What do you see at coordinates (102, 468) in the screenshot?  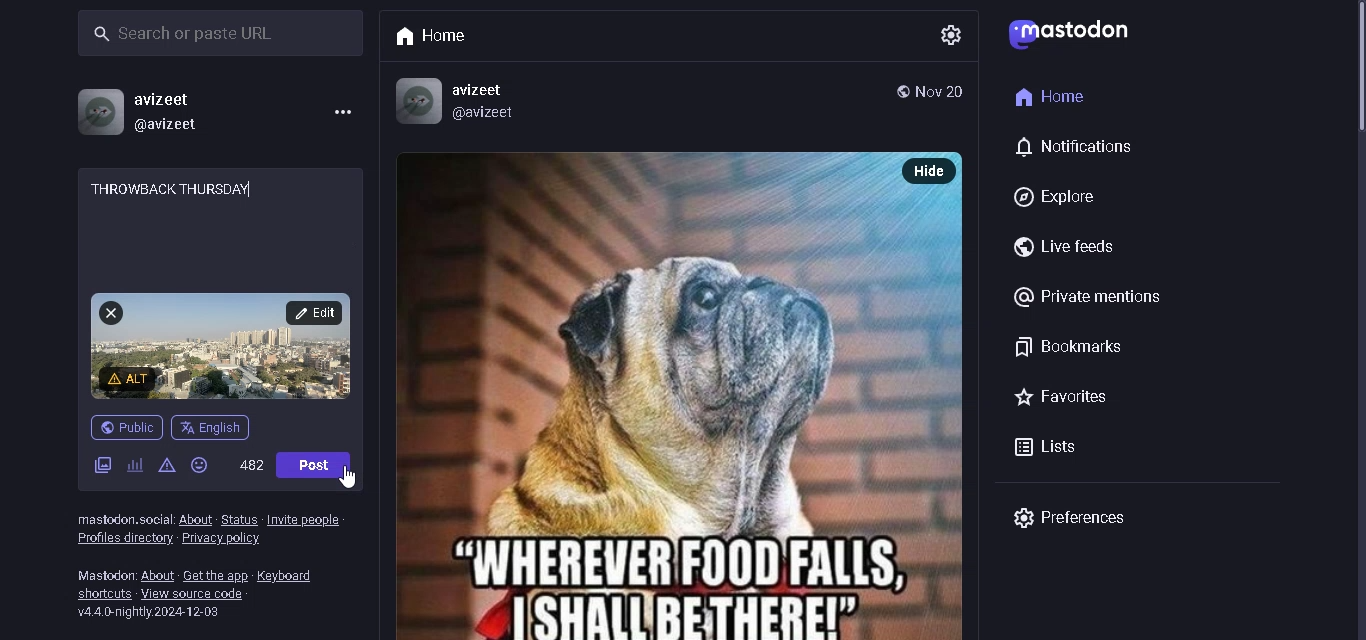 I see `add images` at bounding box center [102, 468].